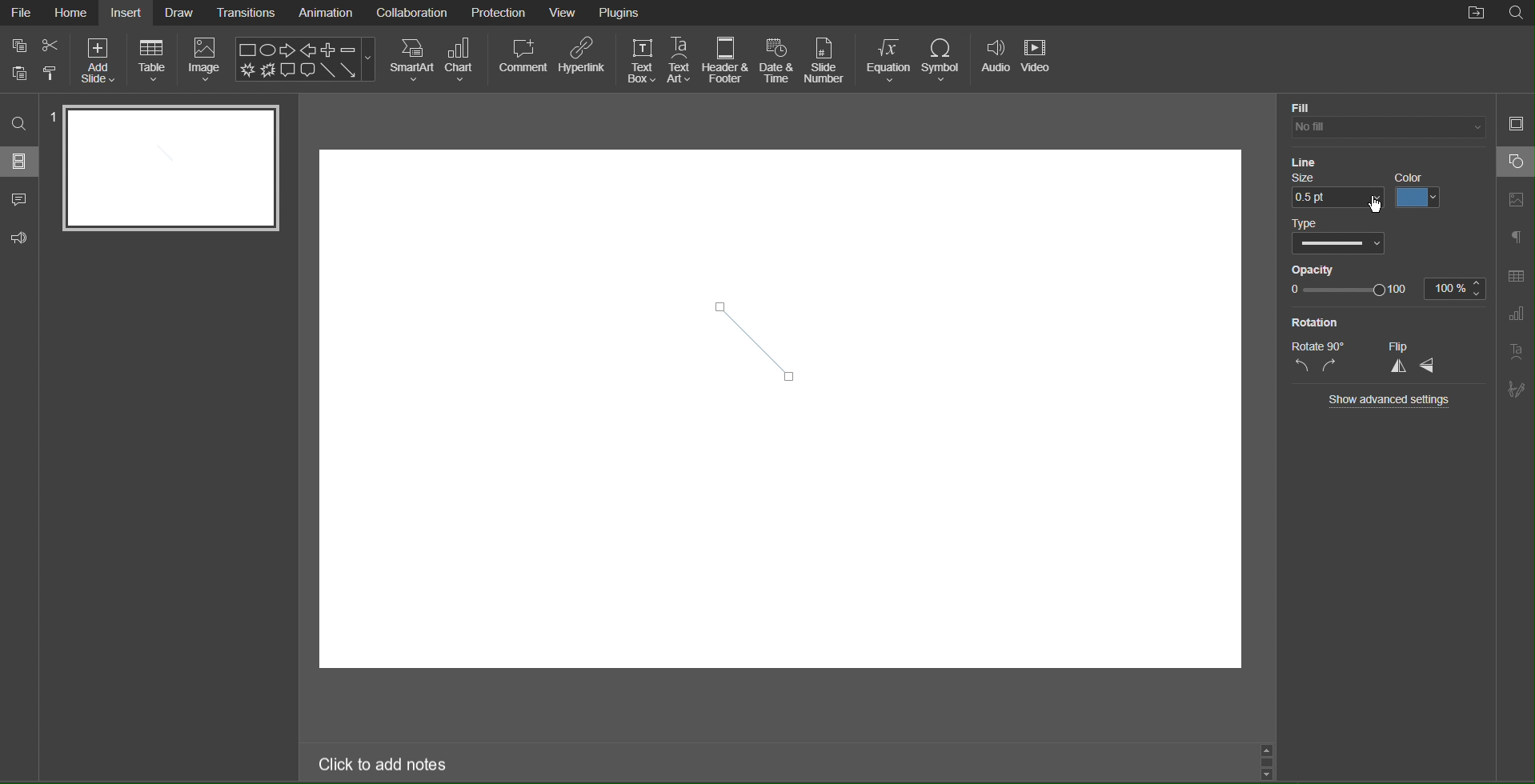 The image size is (1535, 784). I want to click on Open File Location, so click(1477, 14).